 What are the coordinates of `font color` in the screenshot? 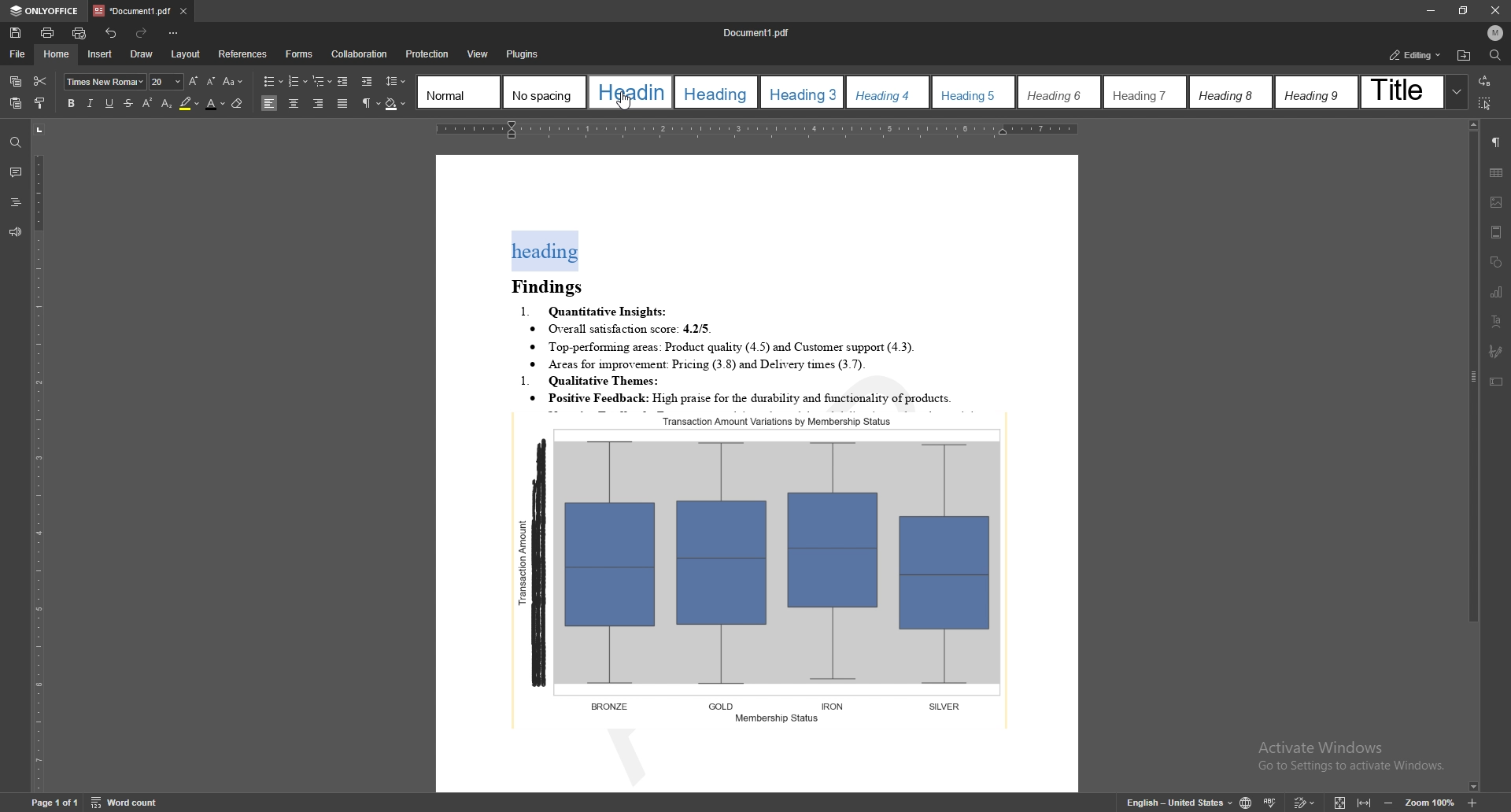 It's located at (216, 104).